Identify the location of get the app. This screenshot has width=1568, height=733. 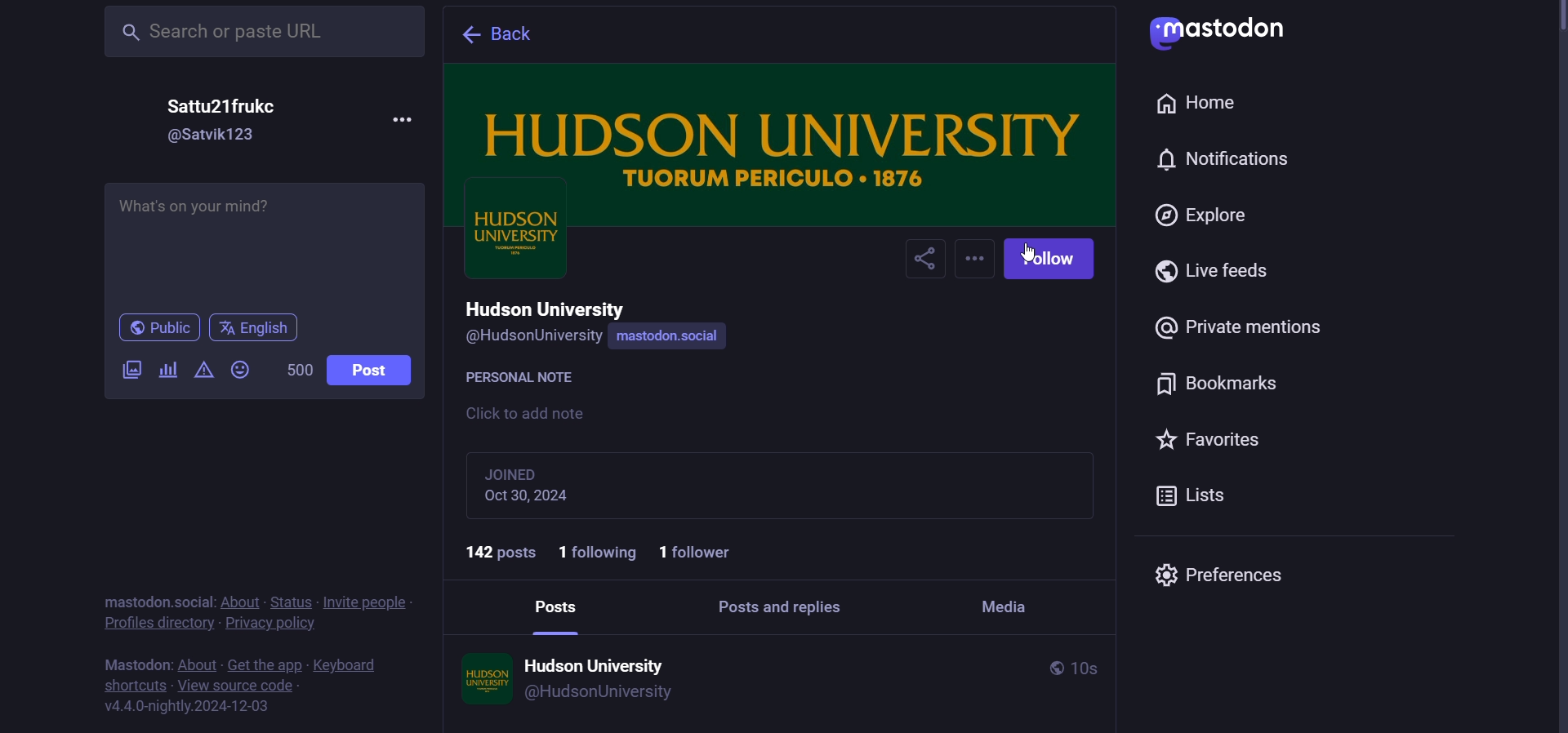
(265, 665).